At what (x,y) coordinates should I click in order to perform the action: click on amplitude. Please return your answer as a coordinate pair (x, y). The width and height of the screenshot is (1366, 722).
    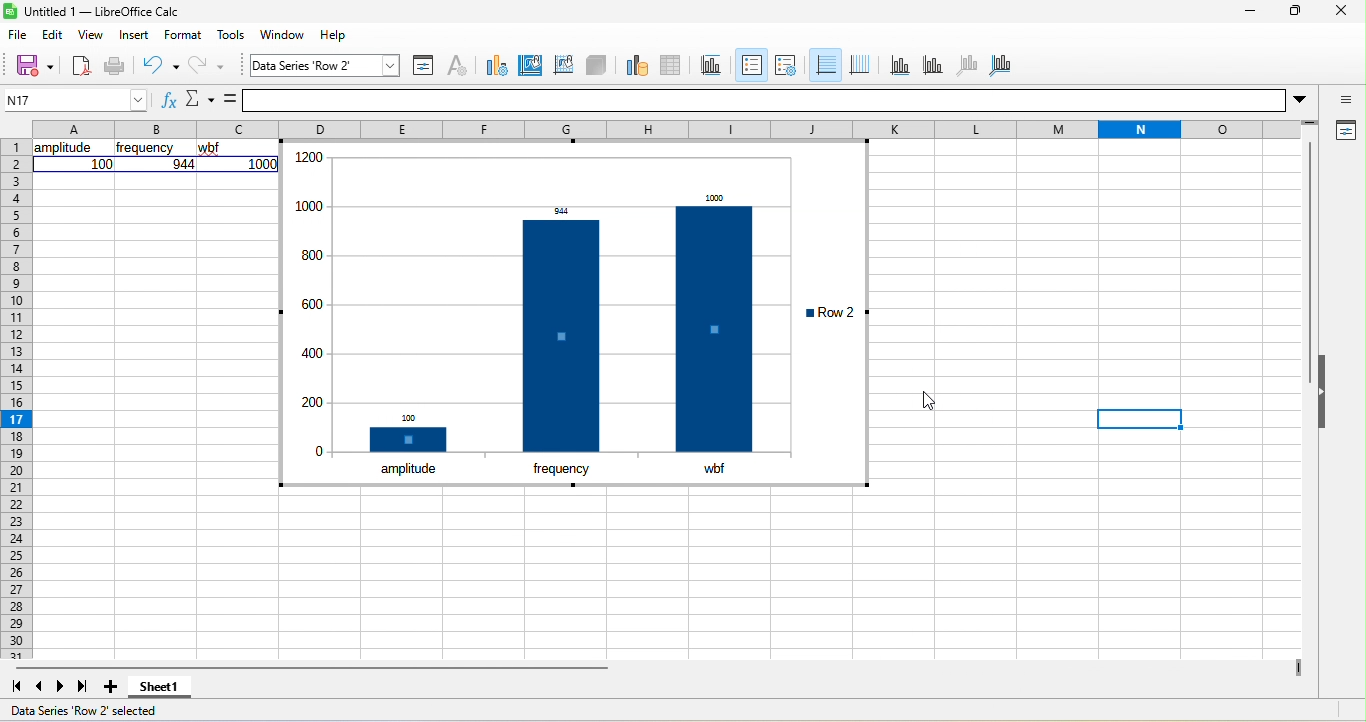
    Looking at the image, I should click on (63, 148).